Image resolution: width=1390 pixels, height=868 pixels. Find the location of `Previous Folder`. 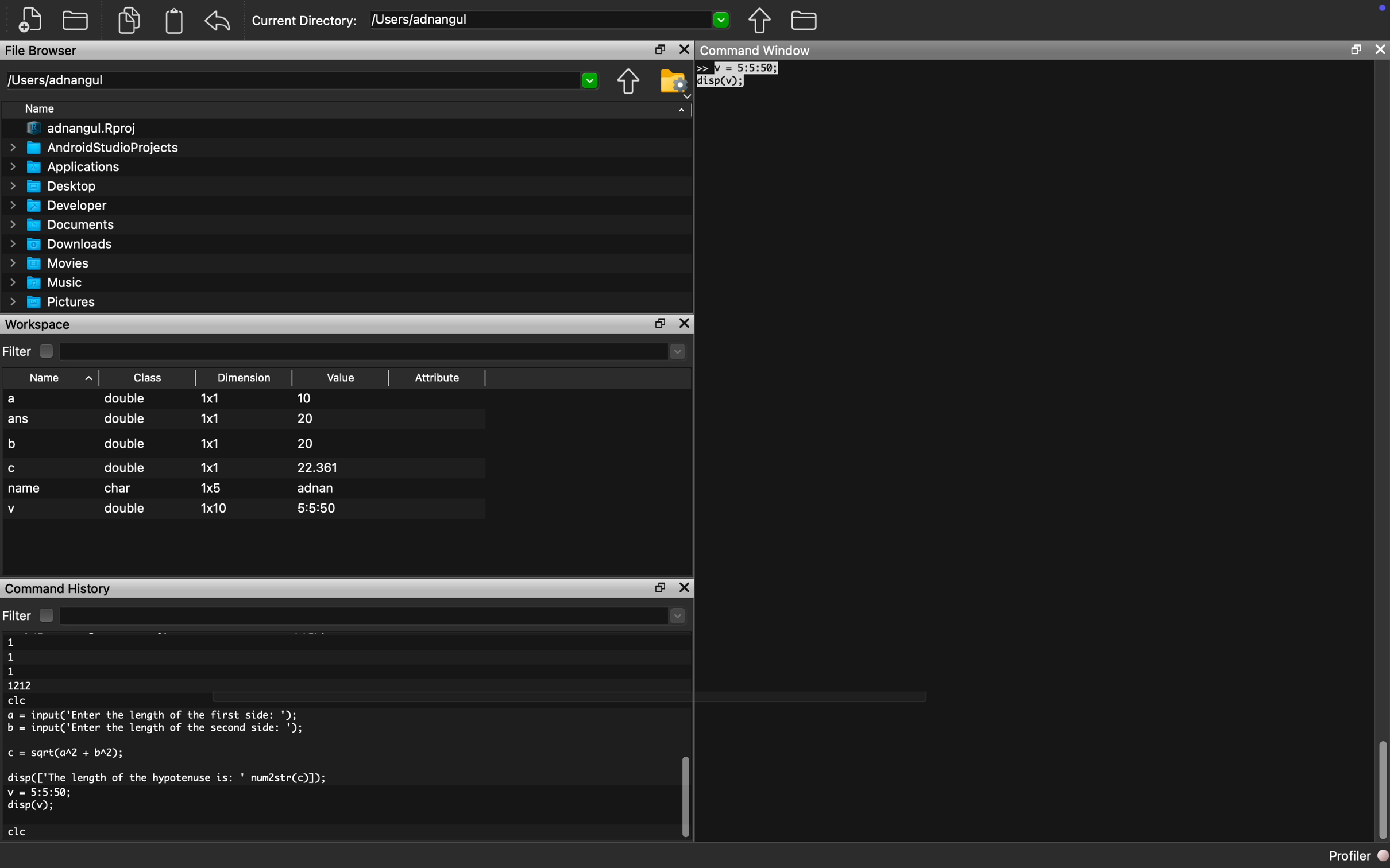

Previous Folder is located at coordinates (759, 20).